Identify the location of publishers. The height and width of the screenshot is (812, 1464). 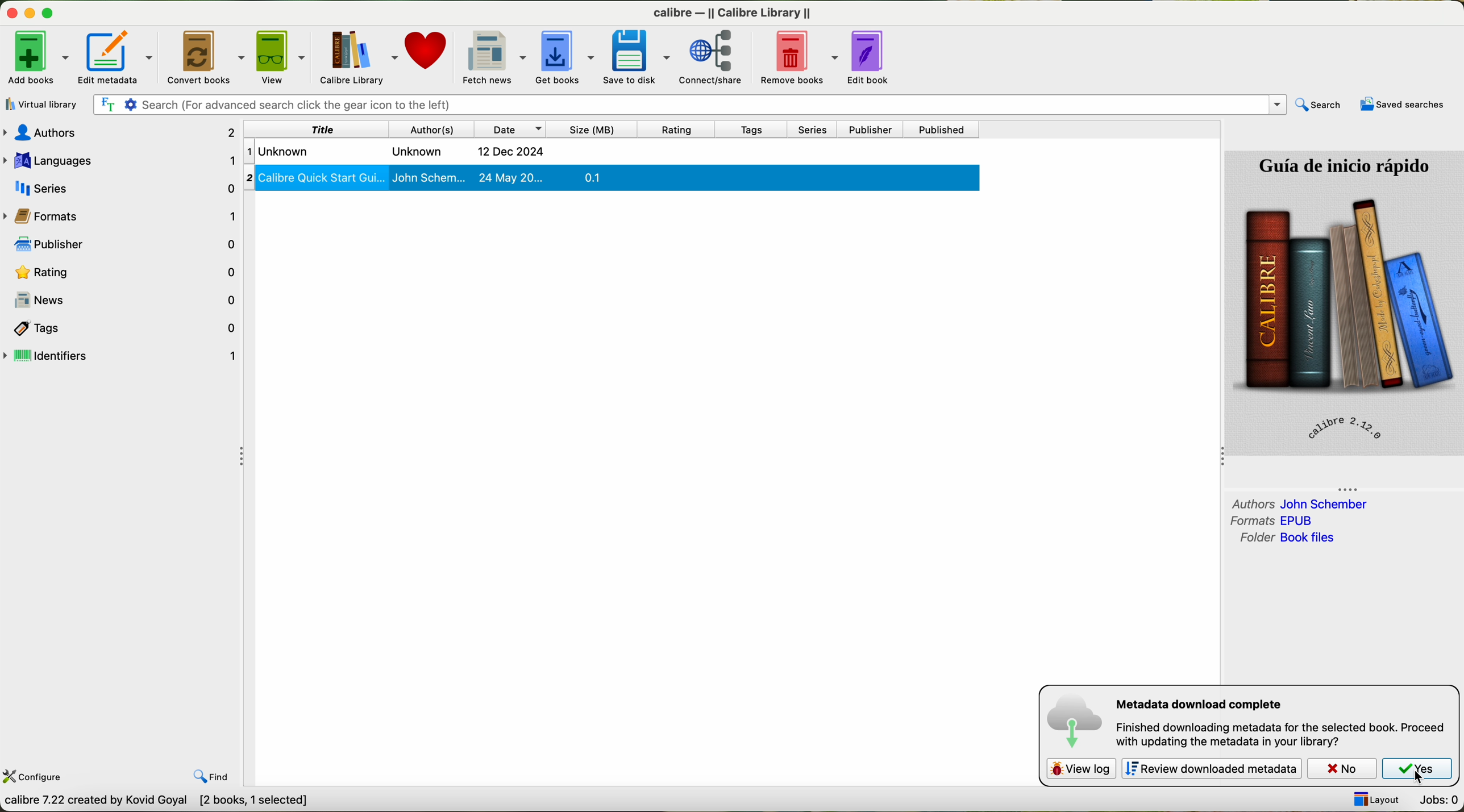
(128, 247).